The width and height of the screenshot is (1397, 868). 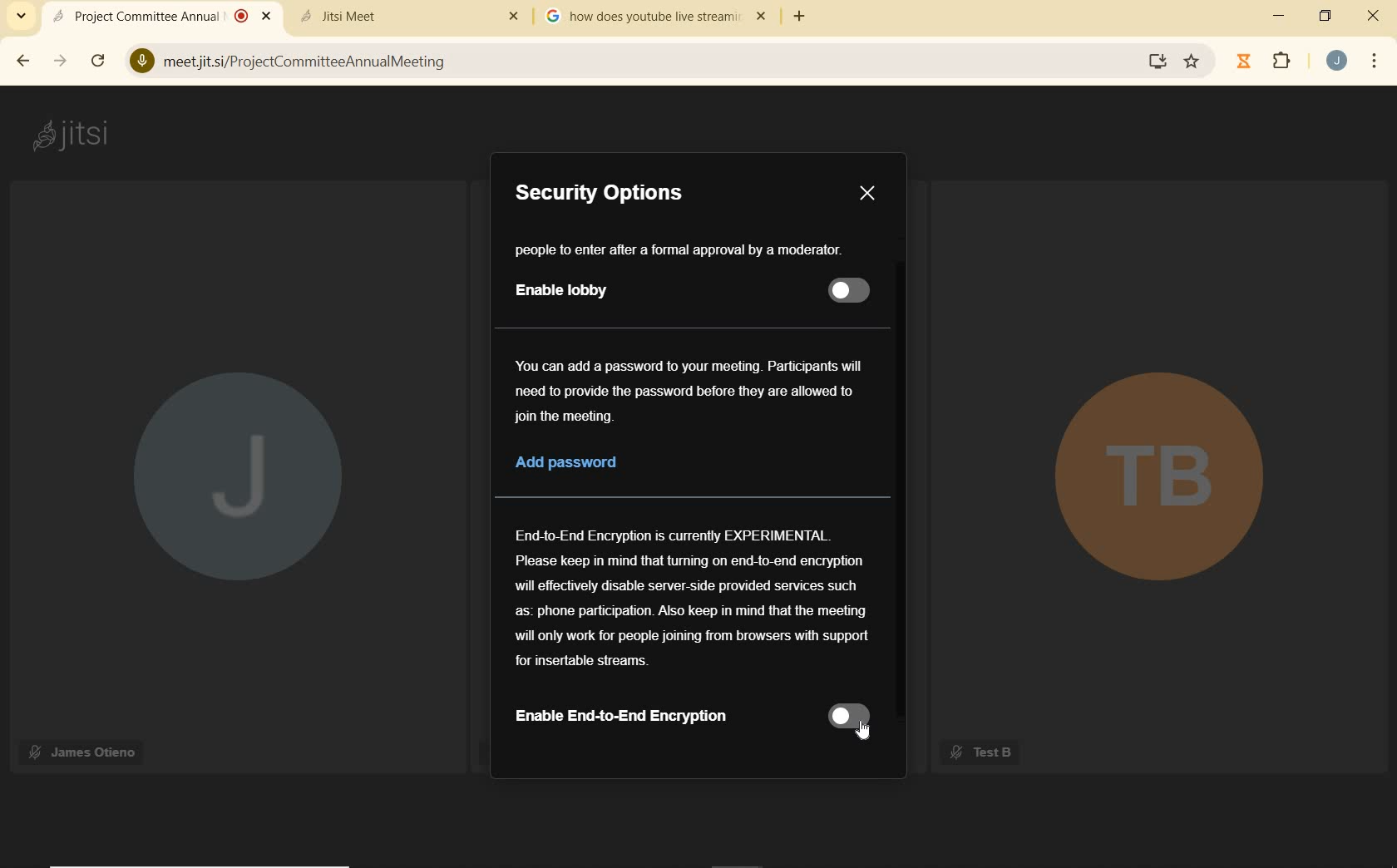 I want to click on SEARCH TABS, so click(x=22, y=16).